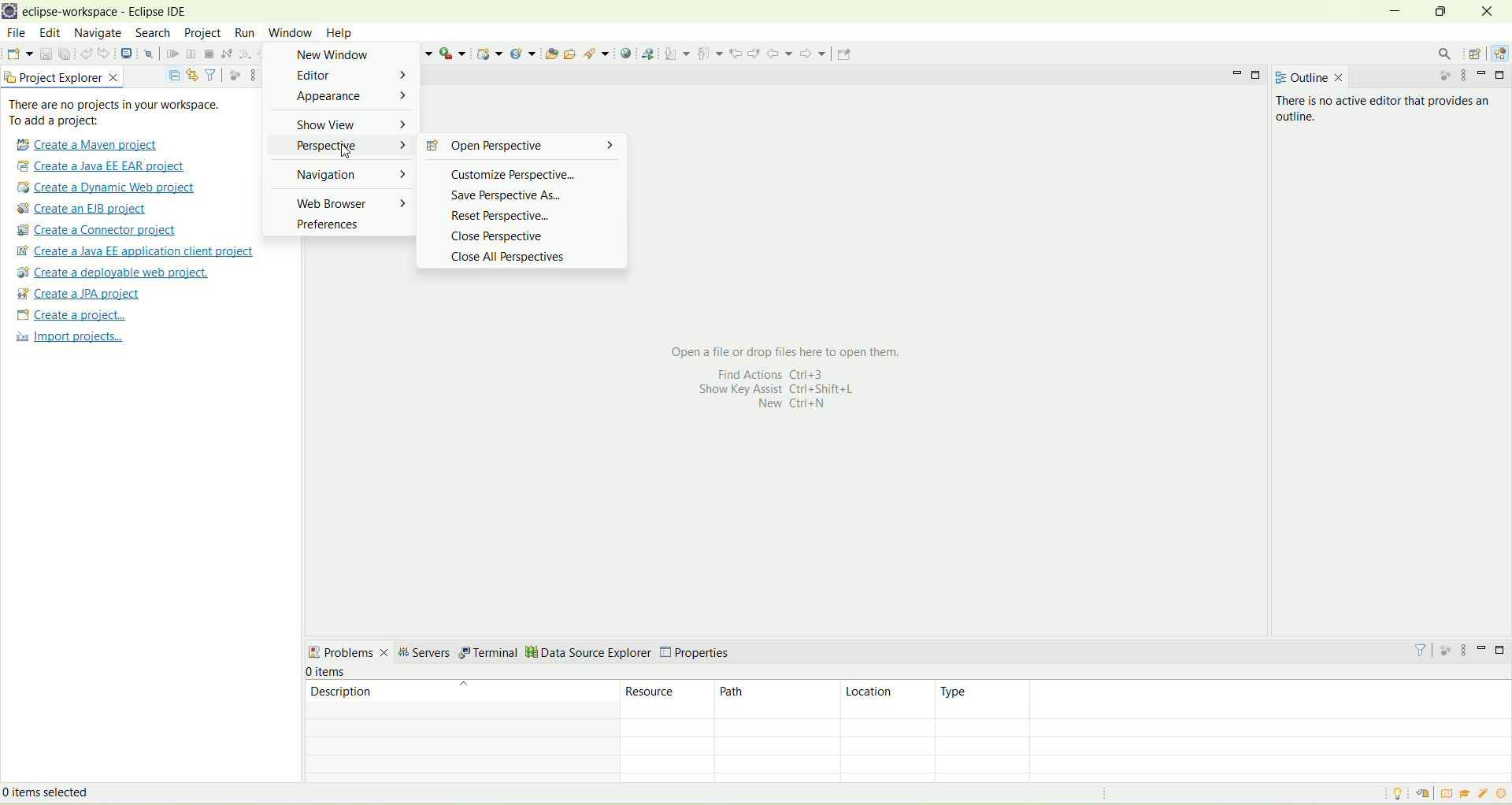 The width and height of the screenshot is (1512, 805). I want to click on back, so click(779, 54).